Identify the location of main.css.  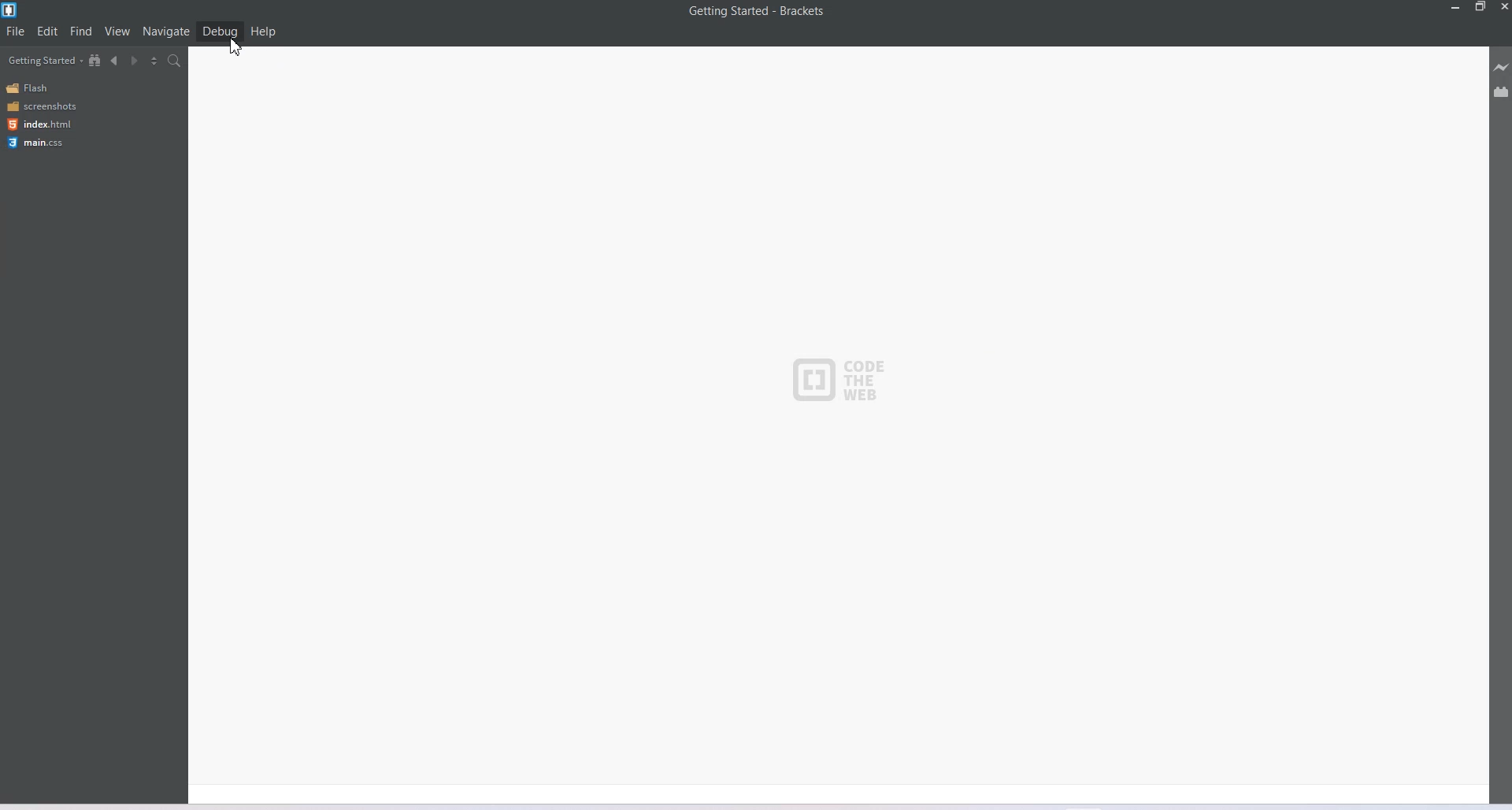
(39, 143).